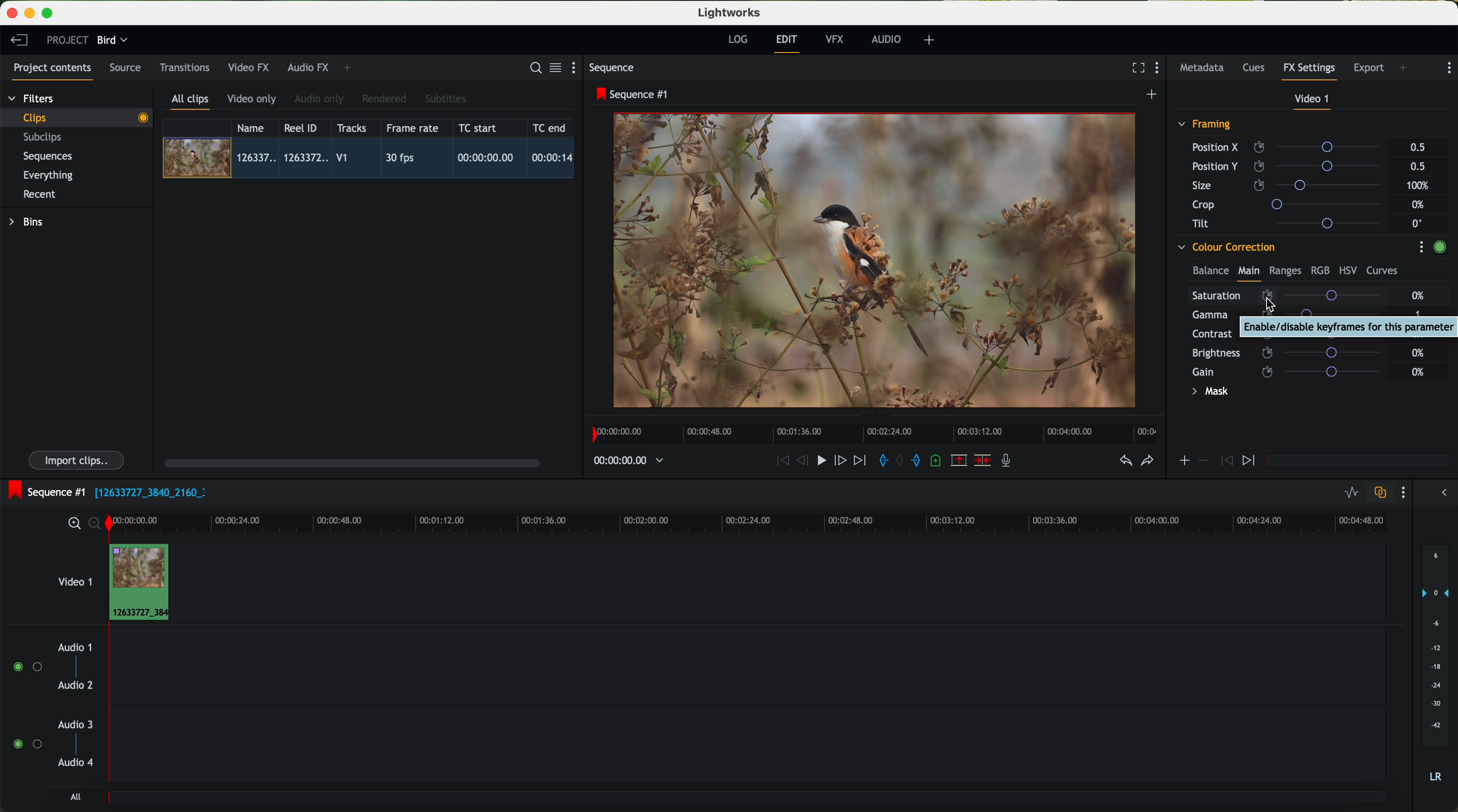  Describe the element at coordinates (350, 68) in the screenshot. I see `add panel` at that location.